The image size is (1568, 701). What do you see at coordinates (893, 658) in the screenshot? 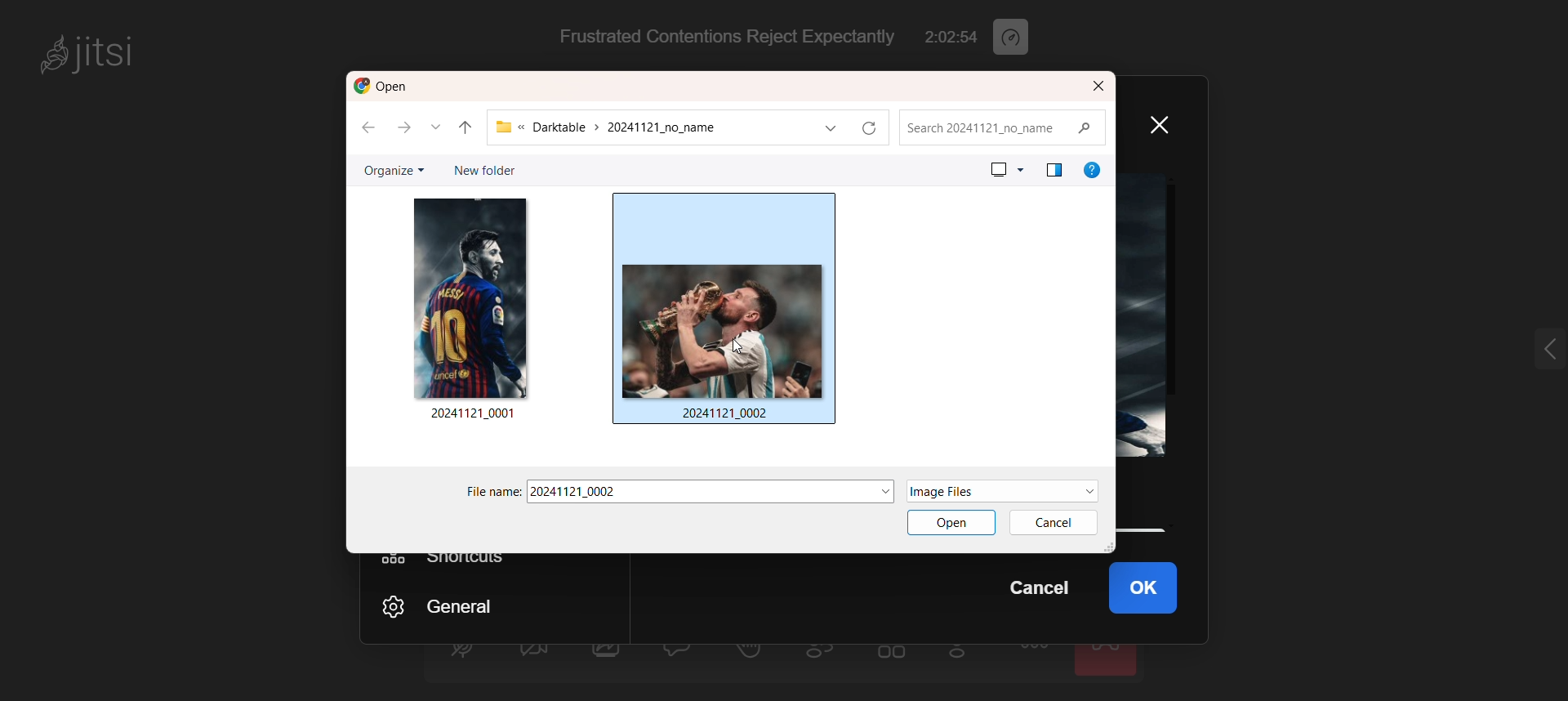
I see `toggle view` at bounding box center [893, 658].